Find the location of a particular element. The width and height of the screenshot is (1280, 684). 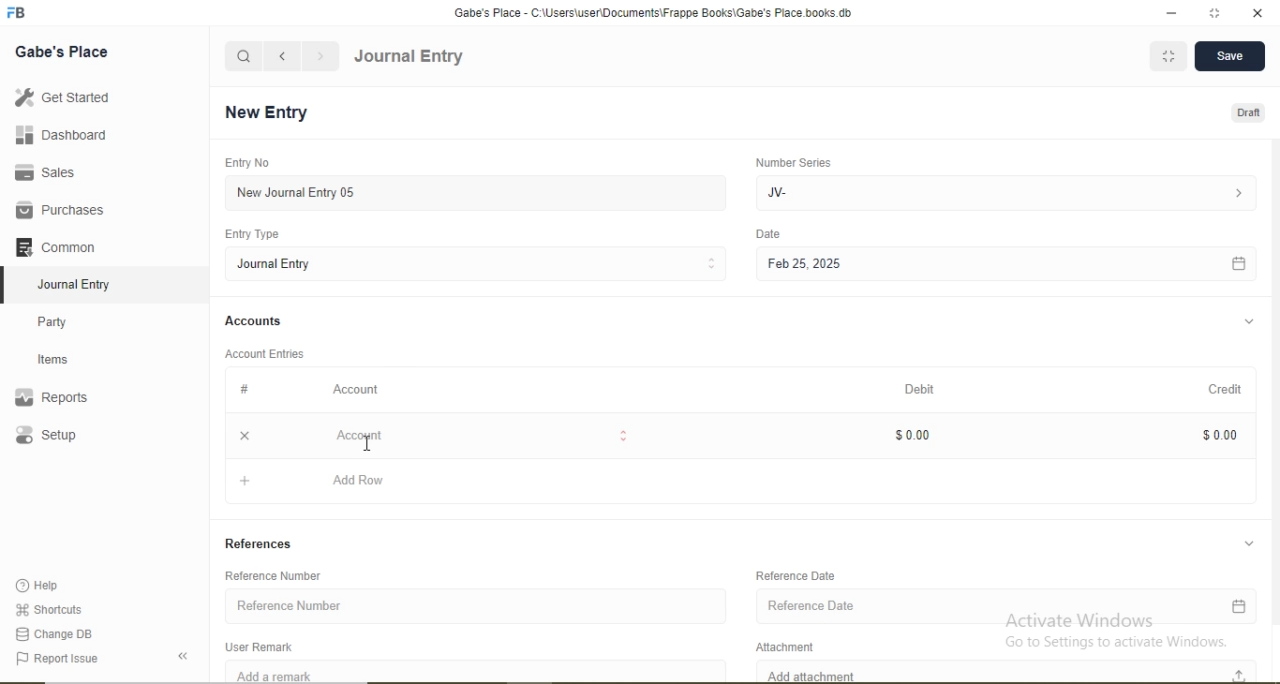

Change DB is located at coordinates (55, 633).